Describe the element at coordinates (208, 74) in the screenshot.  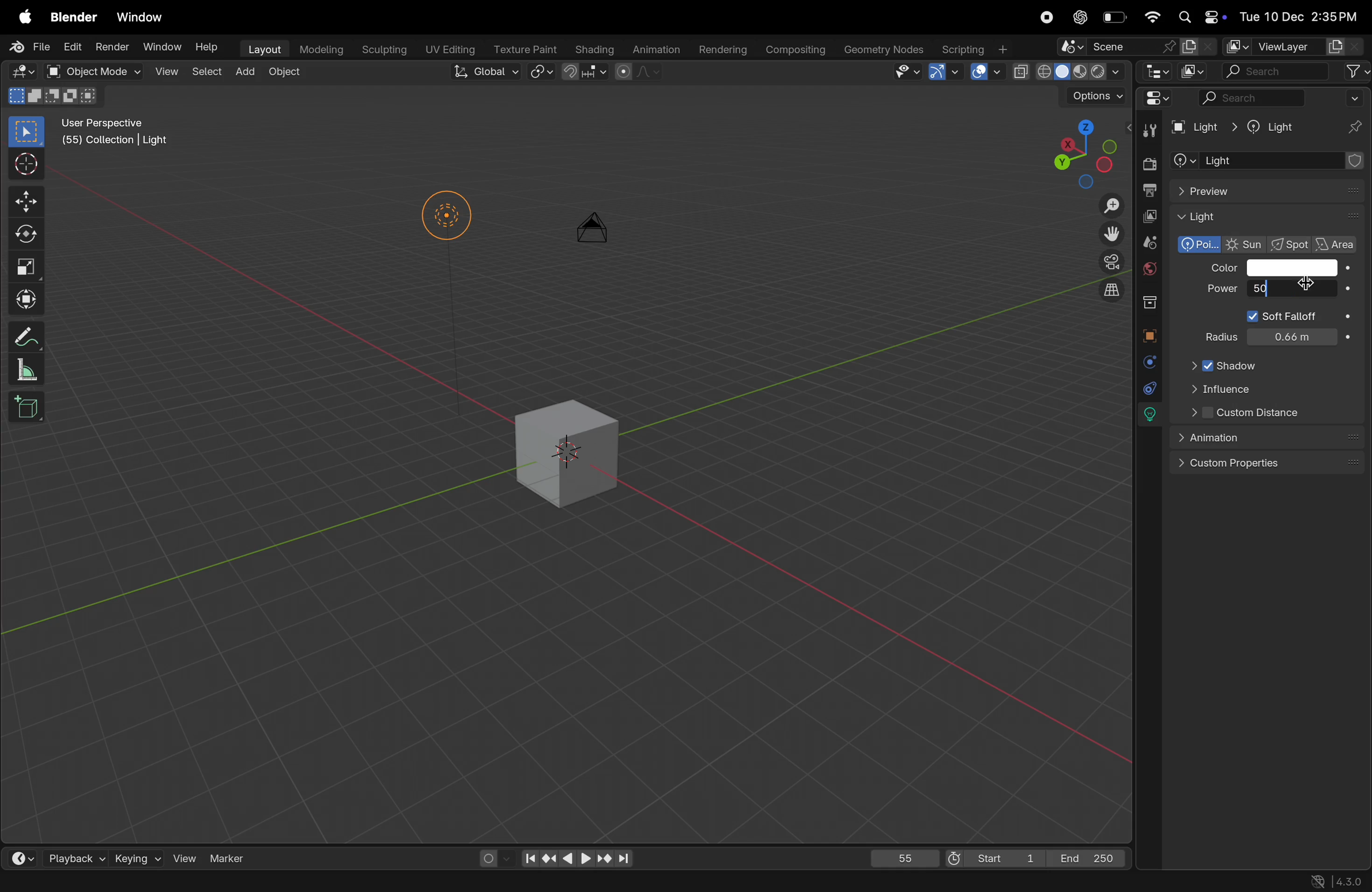
I see `select` at that location.